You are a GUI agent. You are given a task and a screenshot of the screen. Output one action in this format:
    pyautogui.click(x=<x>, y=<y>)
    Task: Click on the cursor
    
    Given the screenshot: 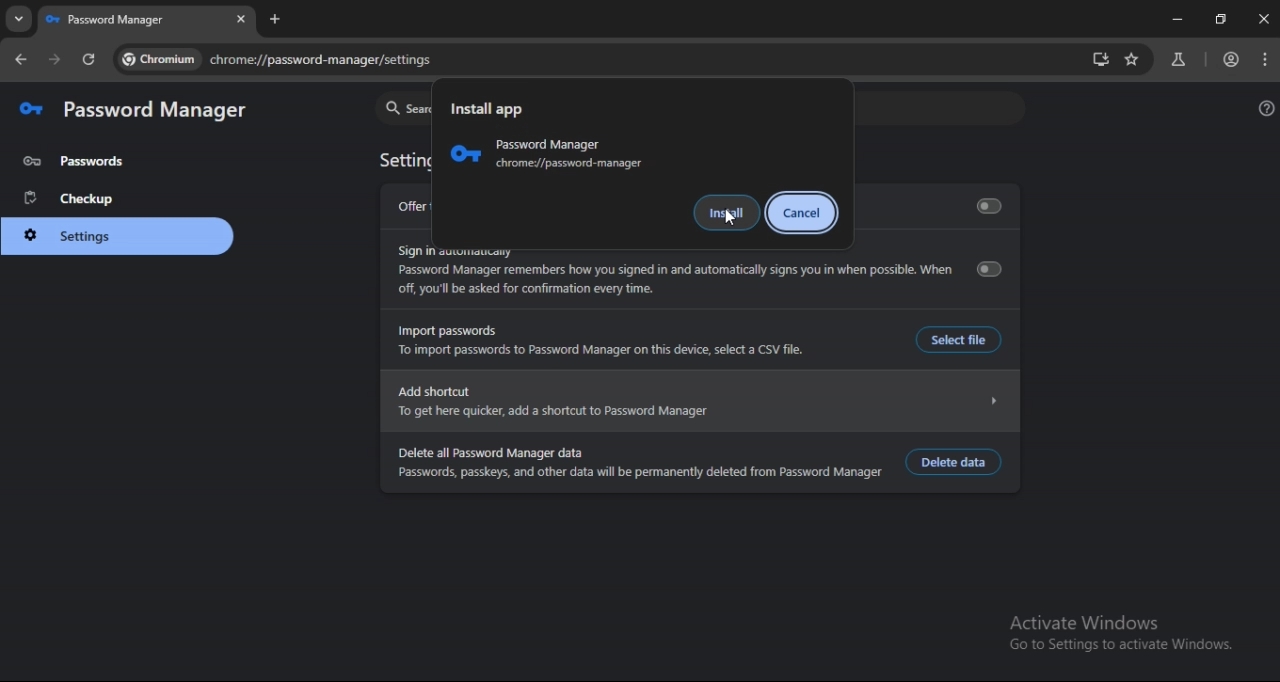 What is the action you would take?
    pyautogui.click(x=728, y=219)
    